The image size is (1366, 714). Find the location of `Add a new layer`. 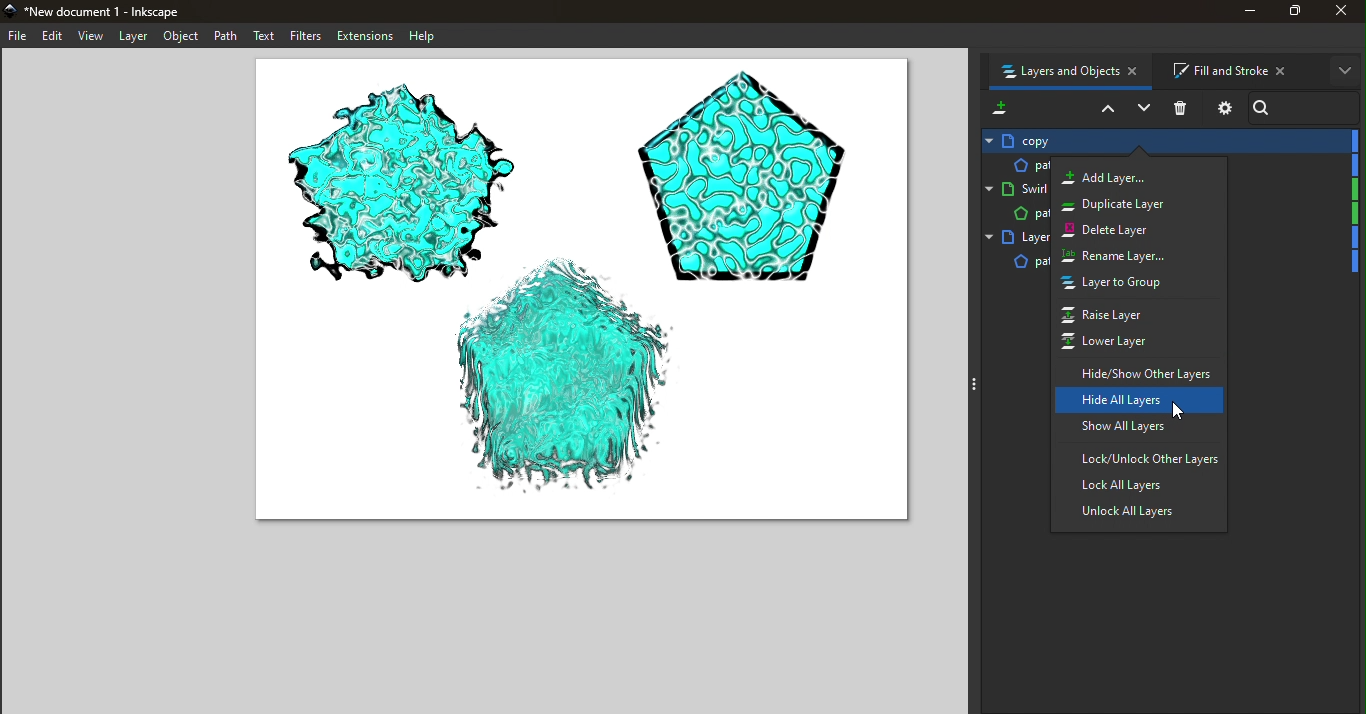

Add a new layer is located at coordinates (1000, 105).